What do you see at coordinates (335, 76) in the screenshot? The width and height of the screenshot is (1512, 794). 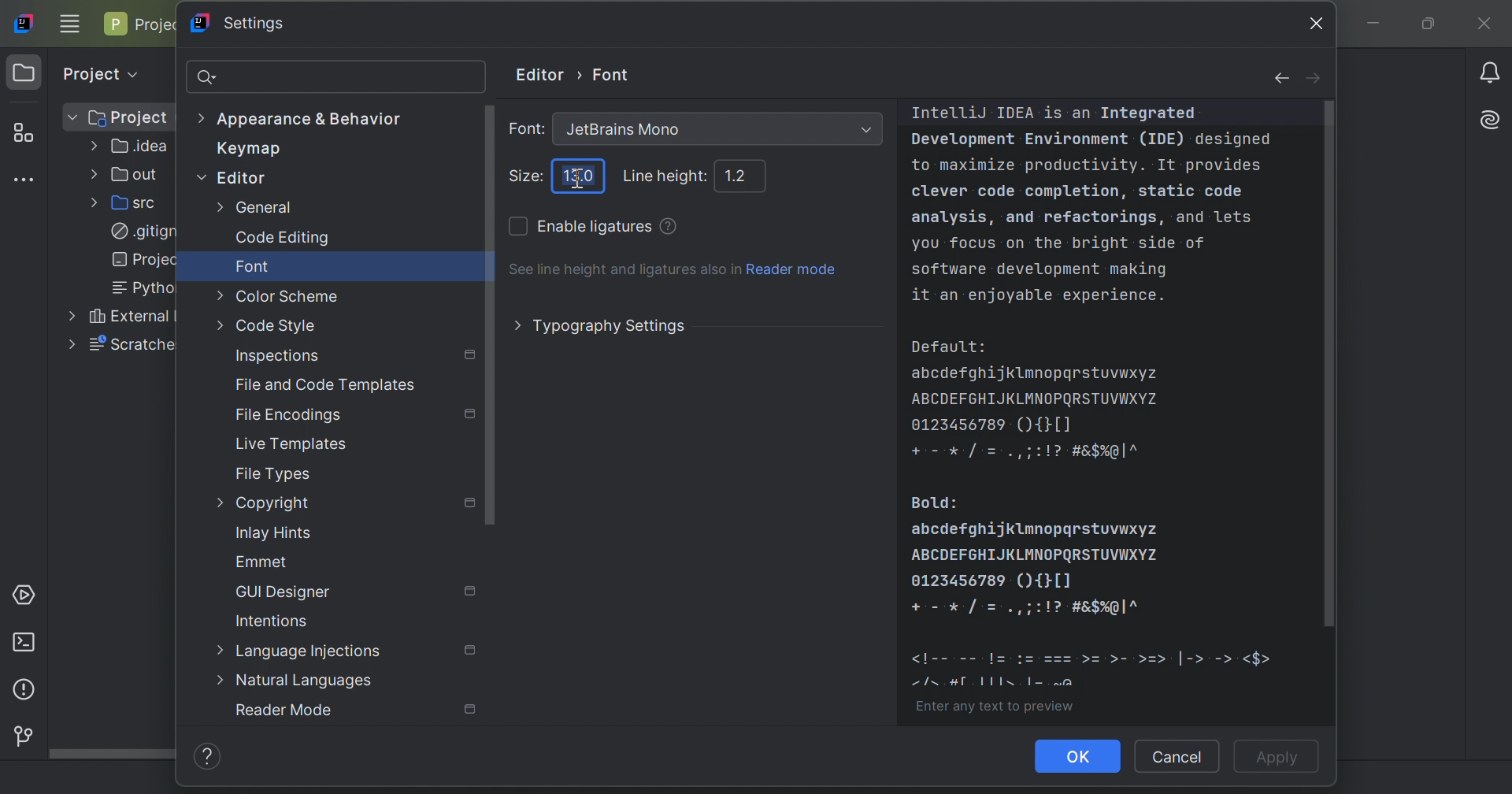 I see `search bar` at bounding box center [335, 76].